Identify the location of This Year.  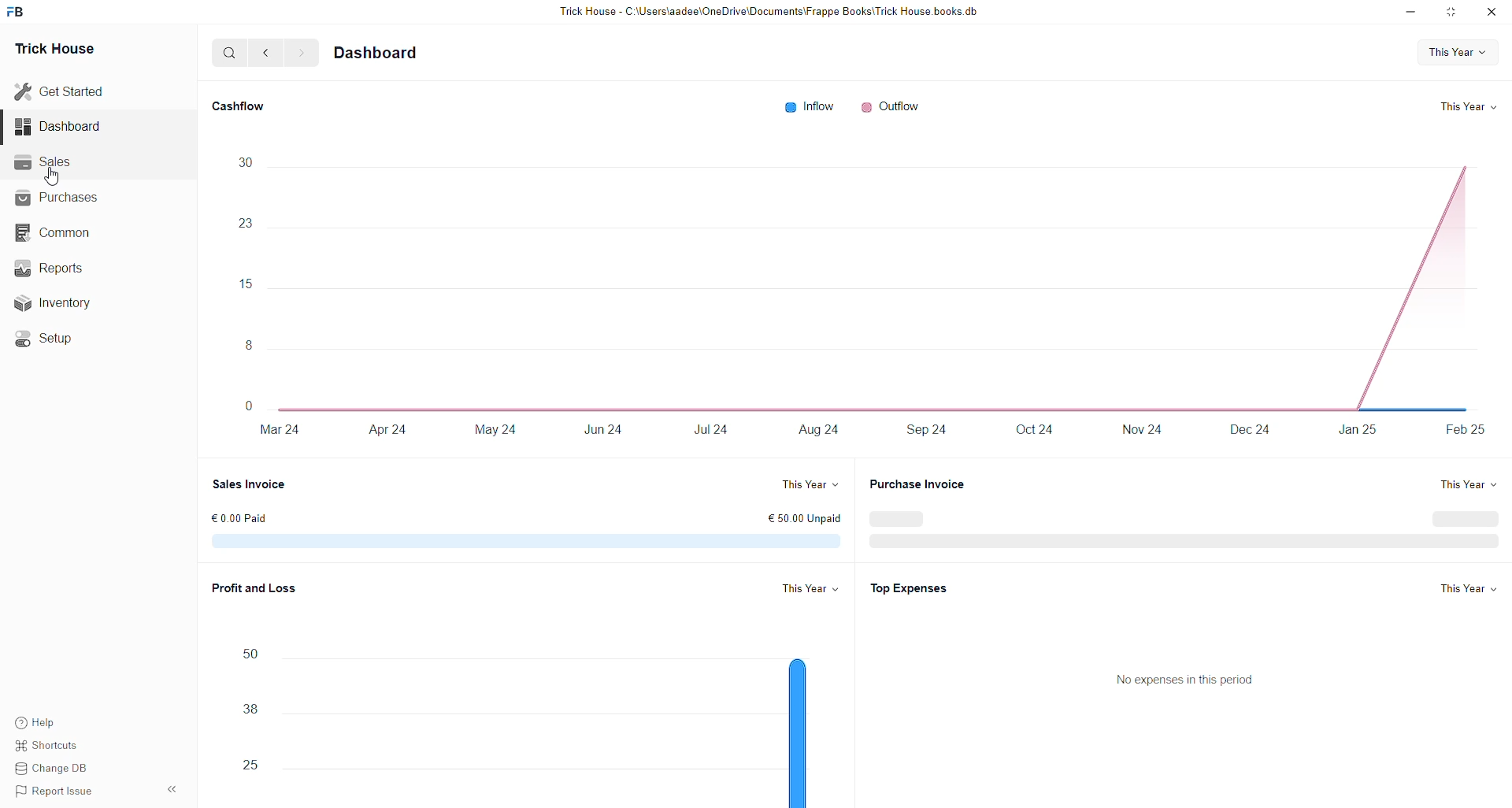
(1458, 54).